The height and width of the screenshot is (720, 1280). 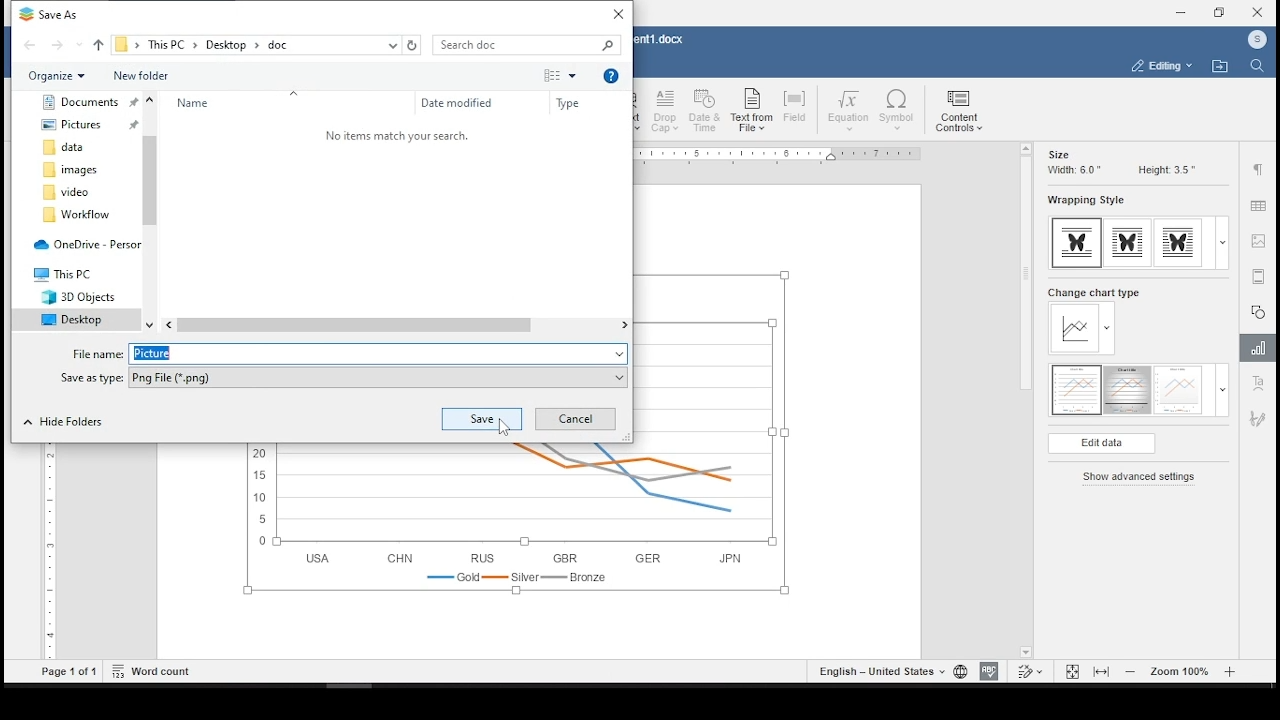 I want to click on open file location, so click(x=1219, y=67).